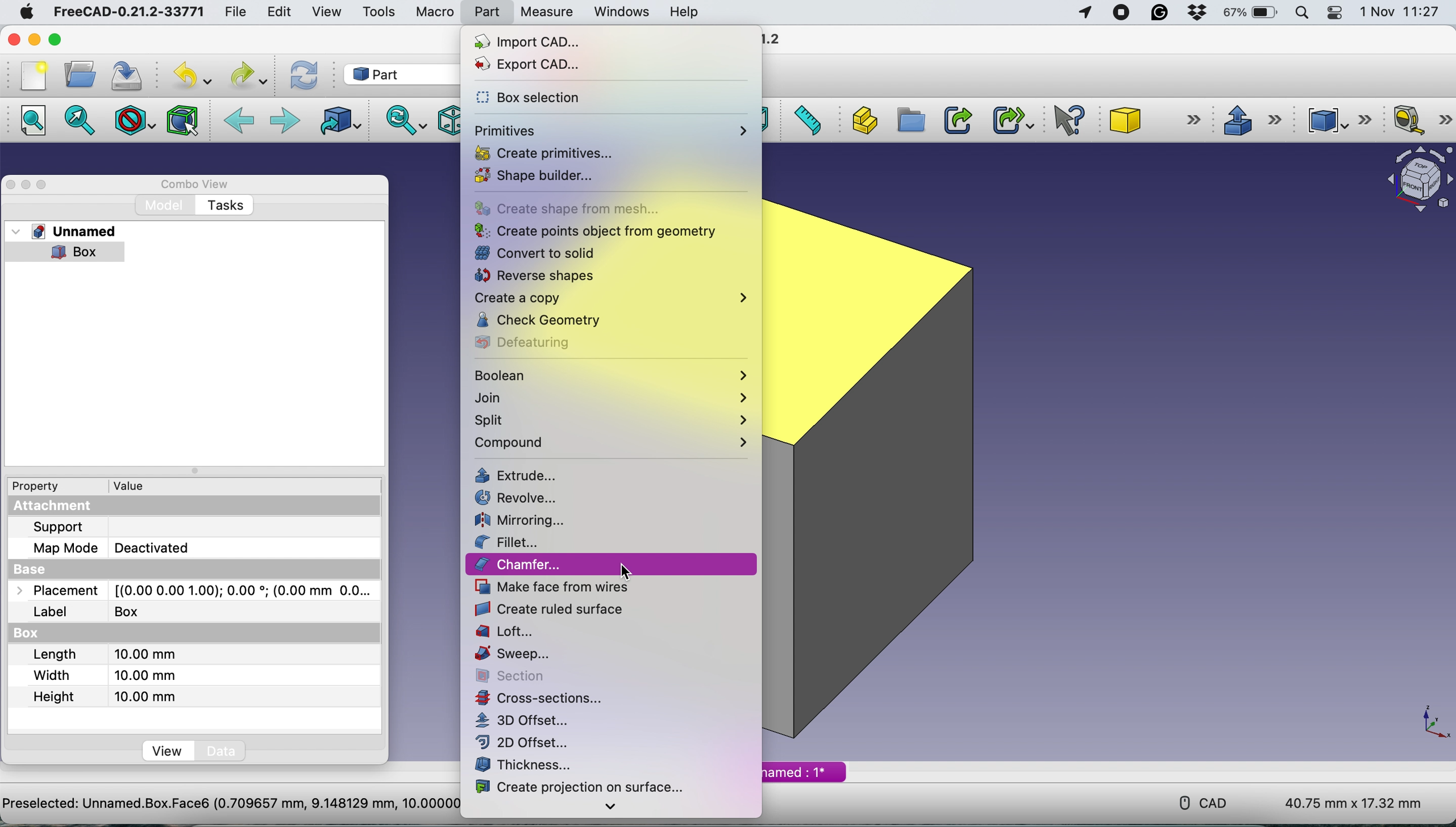  Describe the element at coordinates (221, 752) in the screenshot. I see `data` at that location.